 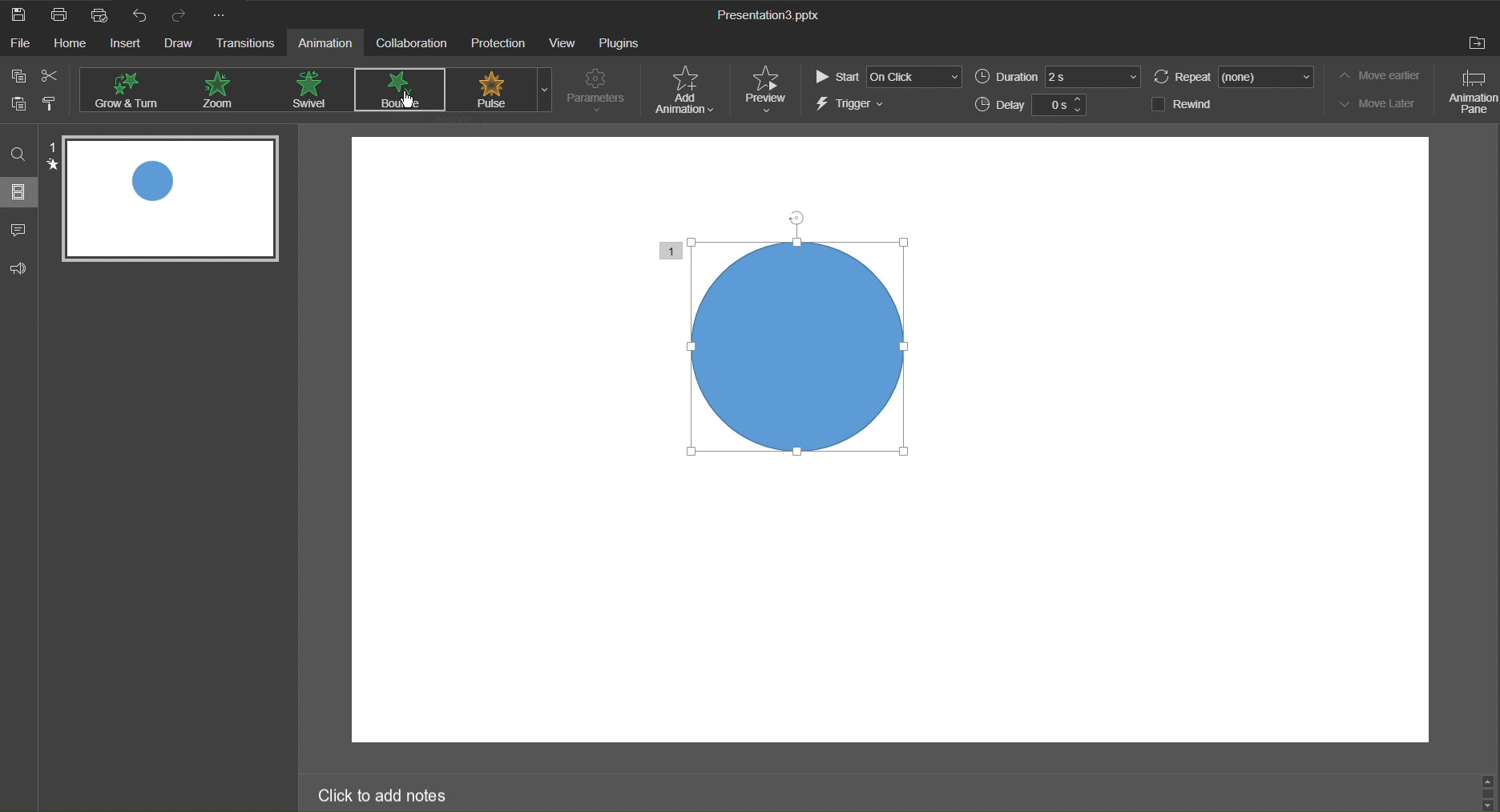 What do you see at coordinates (58, 106) in the screenshot?
I see `Copy Style` at bounding box center [58, 106].